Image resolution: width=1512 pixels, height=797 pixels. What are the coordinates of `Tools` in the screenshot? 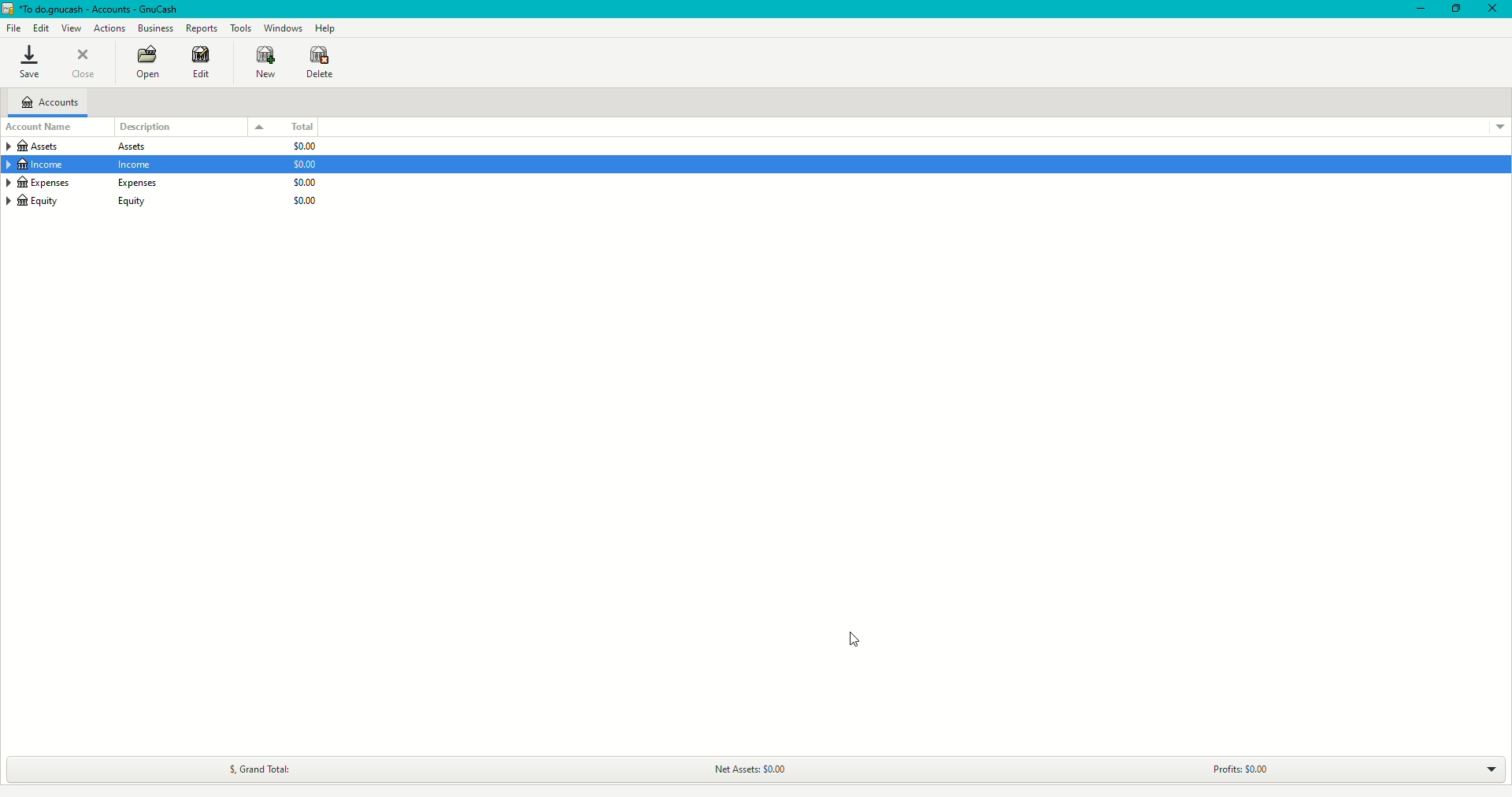 It's located at (243, 28).